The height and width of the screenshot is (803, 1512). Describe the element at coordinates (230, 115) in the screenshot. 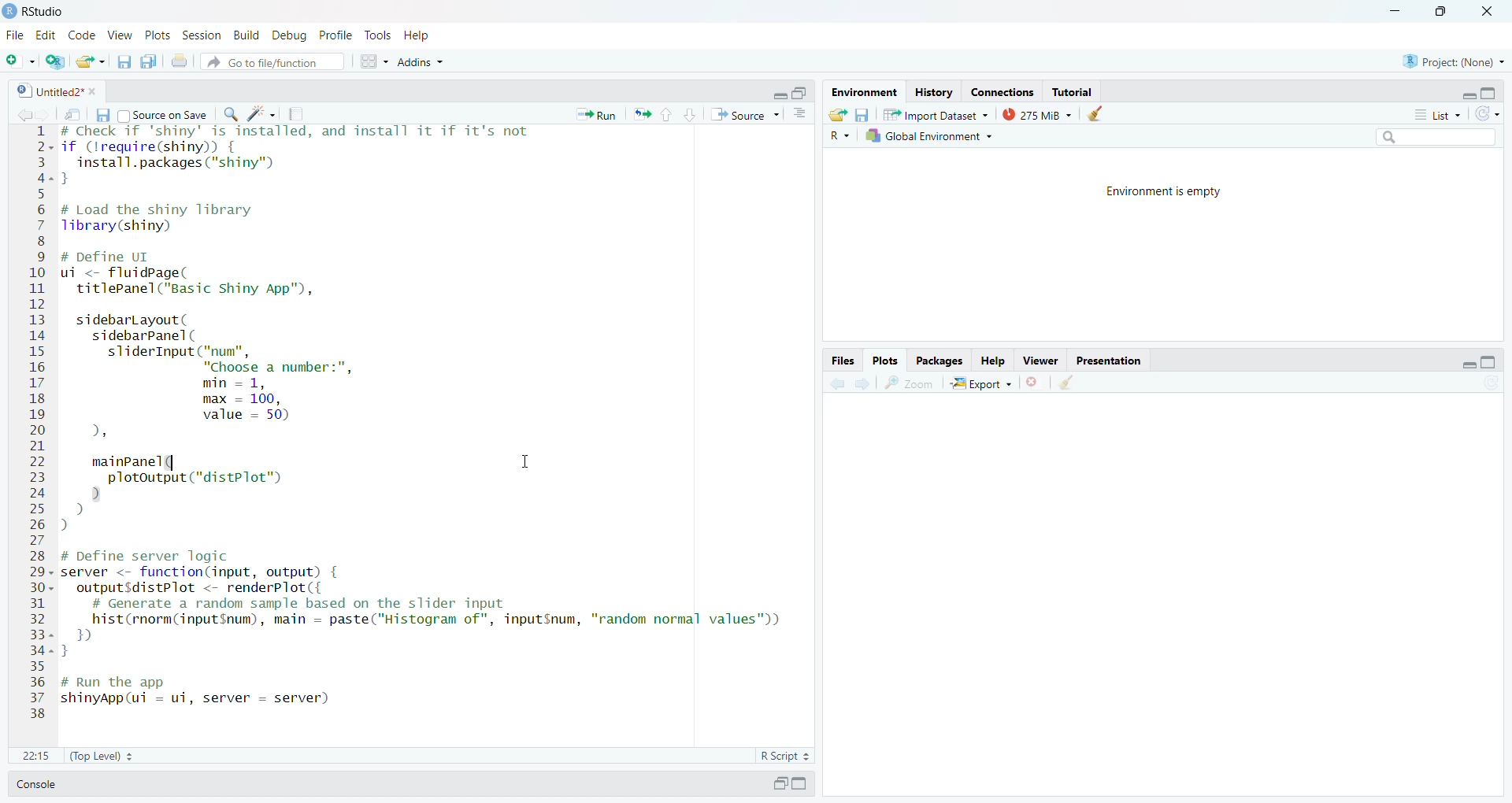

I see `search` at that location.